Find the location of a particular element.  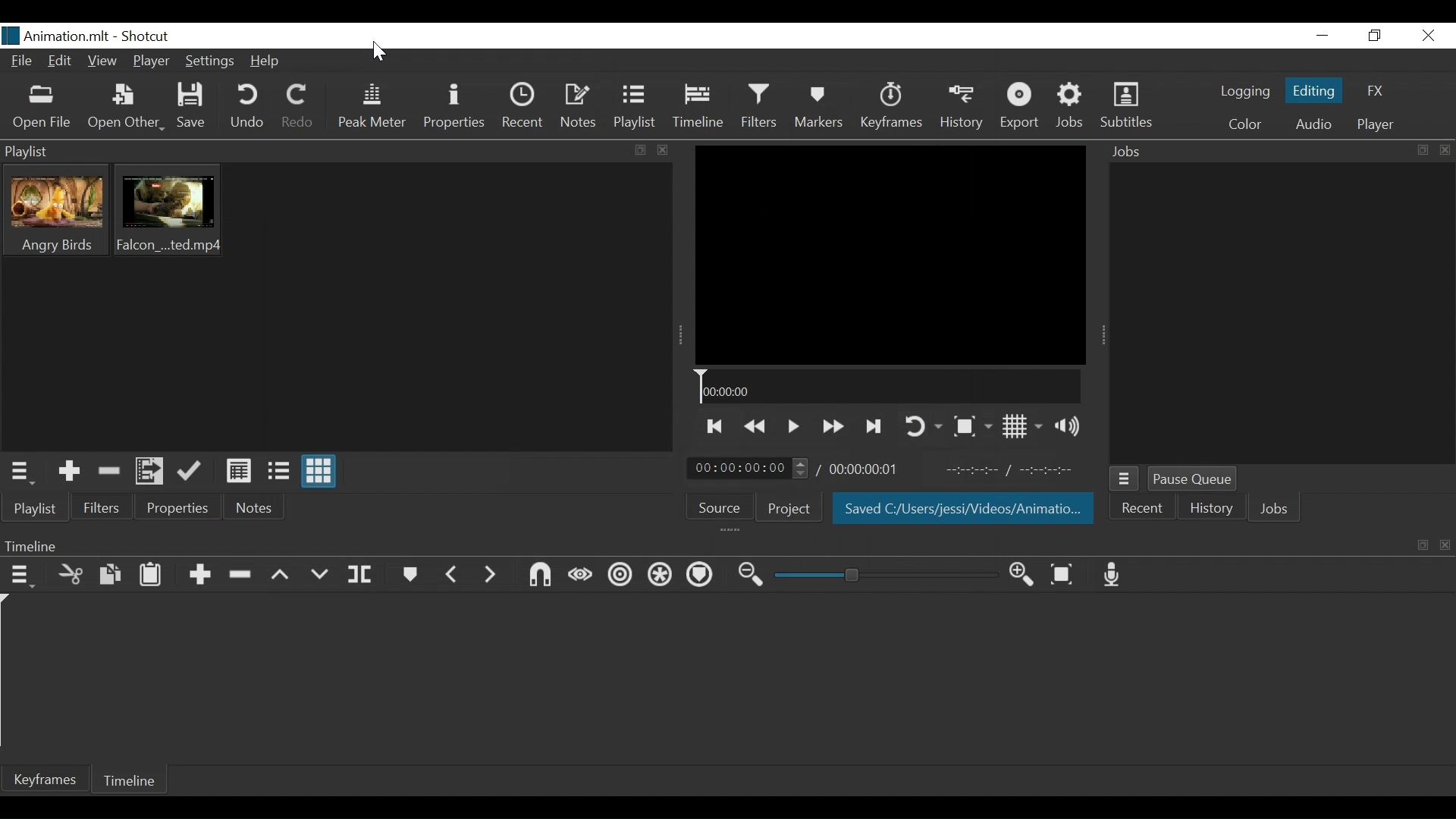

Scrub while dragging is located at coordinates (577, 577).